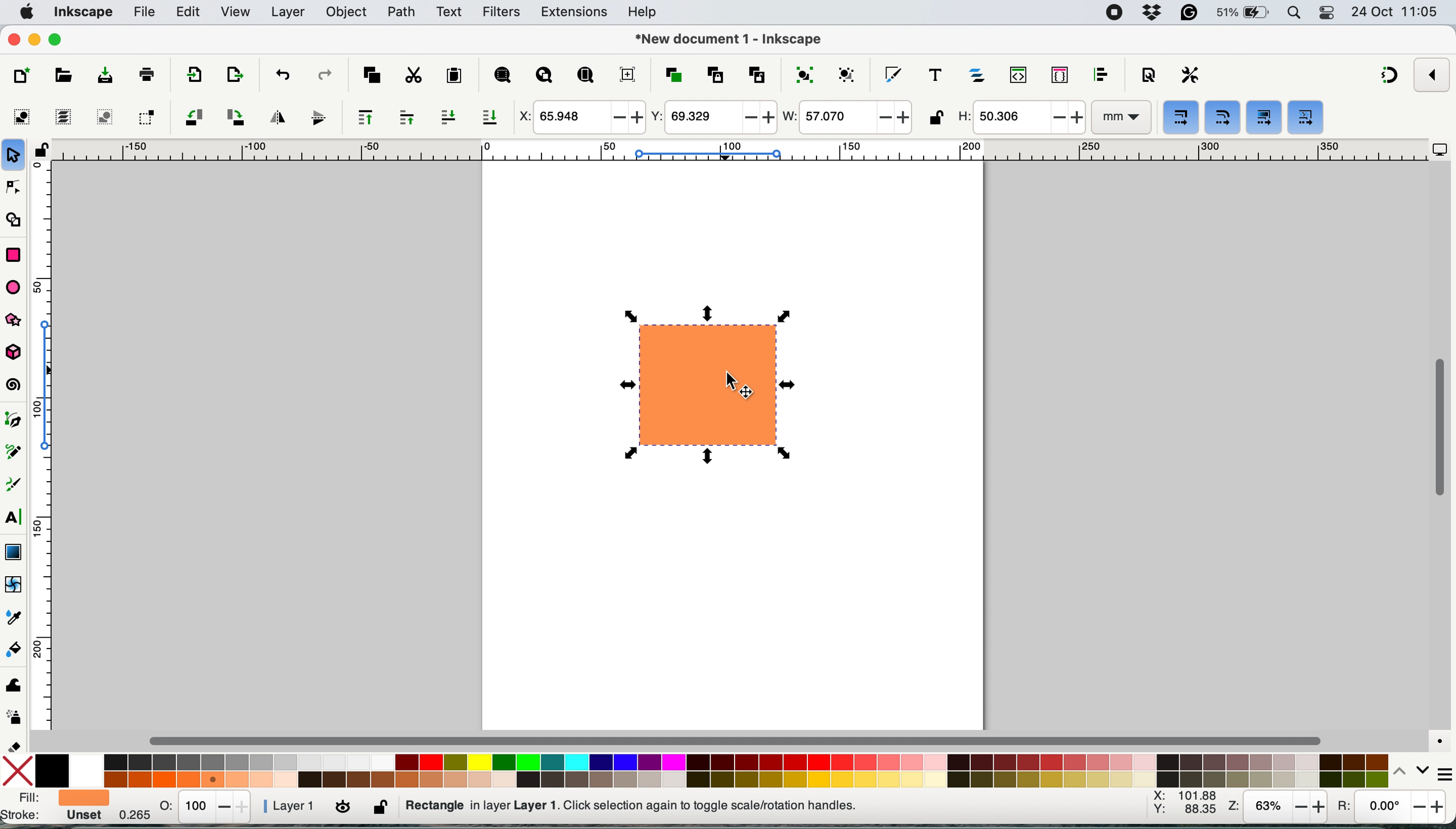 The width and height of the screenshot is (1456, 829). What do you see at coordinates (14, 40) in the screenshot?
I see `close` at bounding box center [14, 40].